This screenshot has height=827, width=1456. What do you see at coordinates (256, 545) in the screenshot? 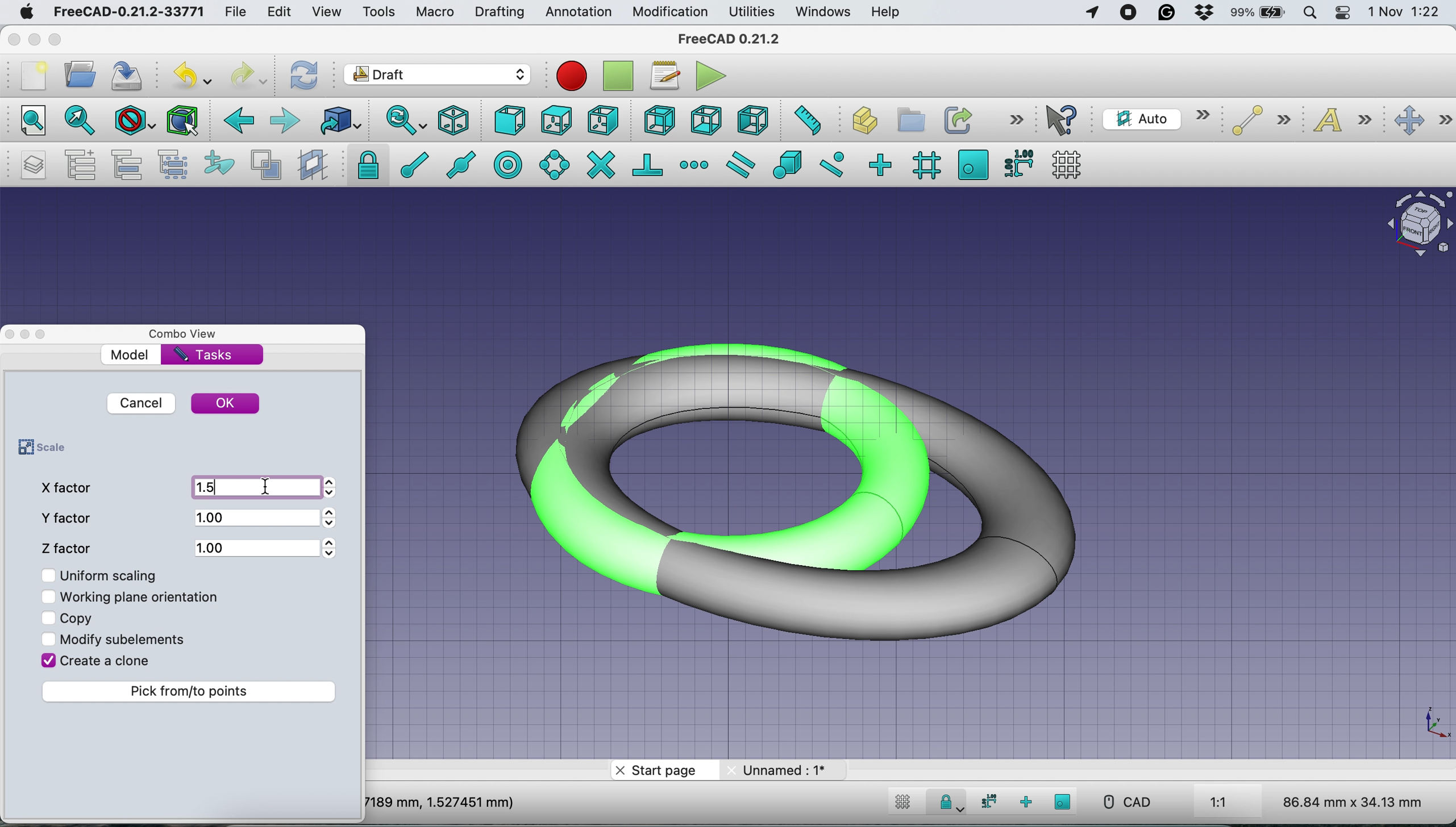
I see `1.00` at bounding box center [256, 545].